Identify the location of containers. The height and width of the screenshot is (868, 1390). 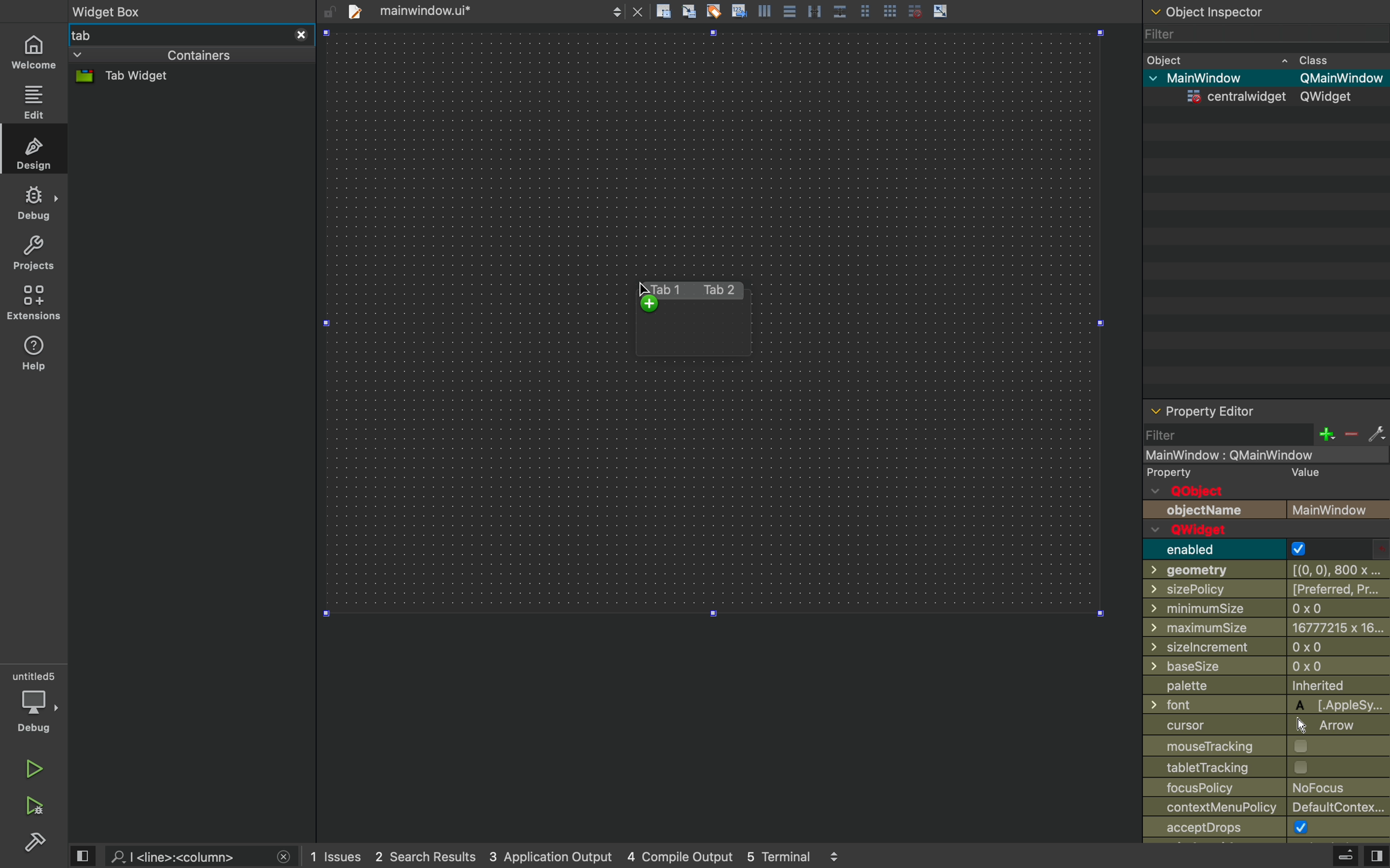
(155, 56).